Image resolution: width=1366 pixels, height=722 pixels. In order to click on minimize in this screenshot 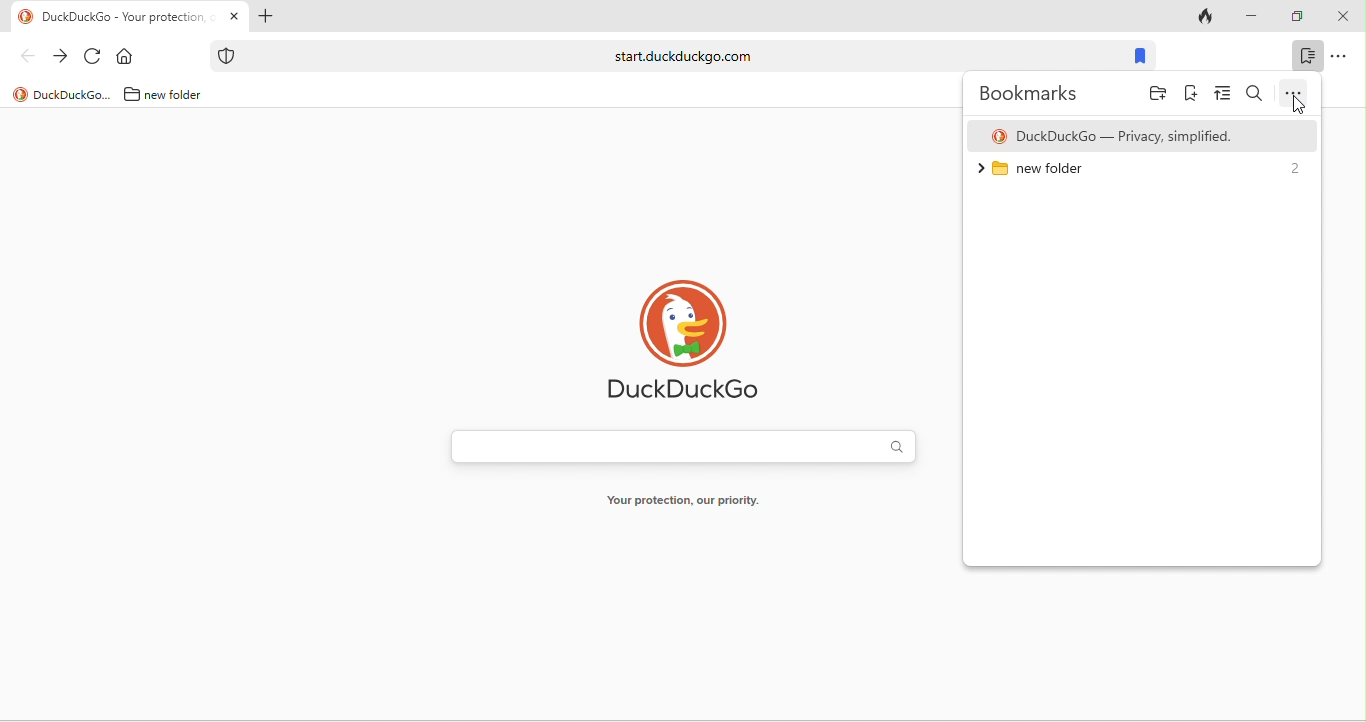, I will do `click(1250, 17)`.